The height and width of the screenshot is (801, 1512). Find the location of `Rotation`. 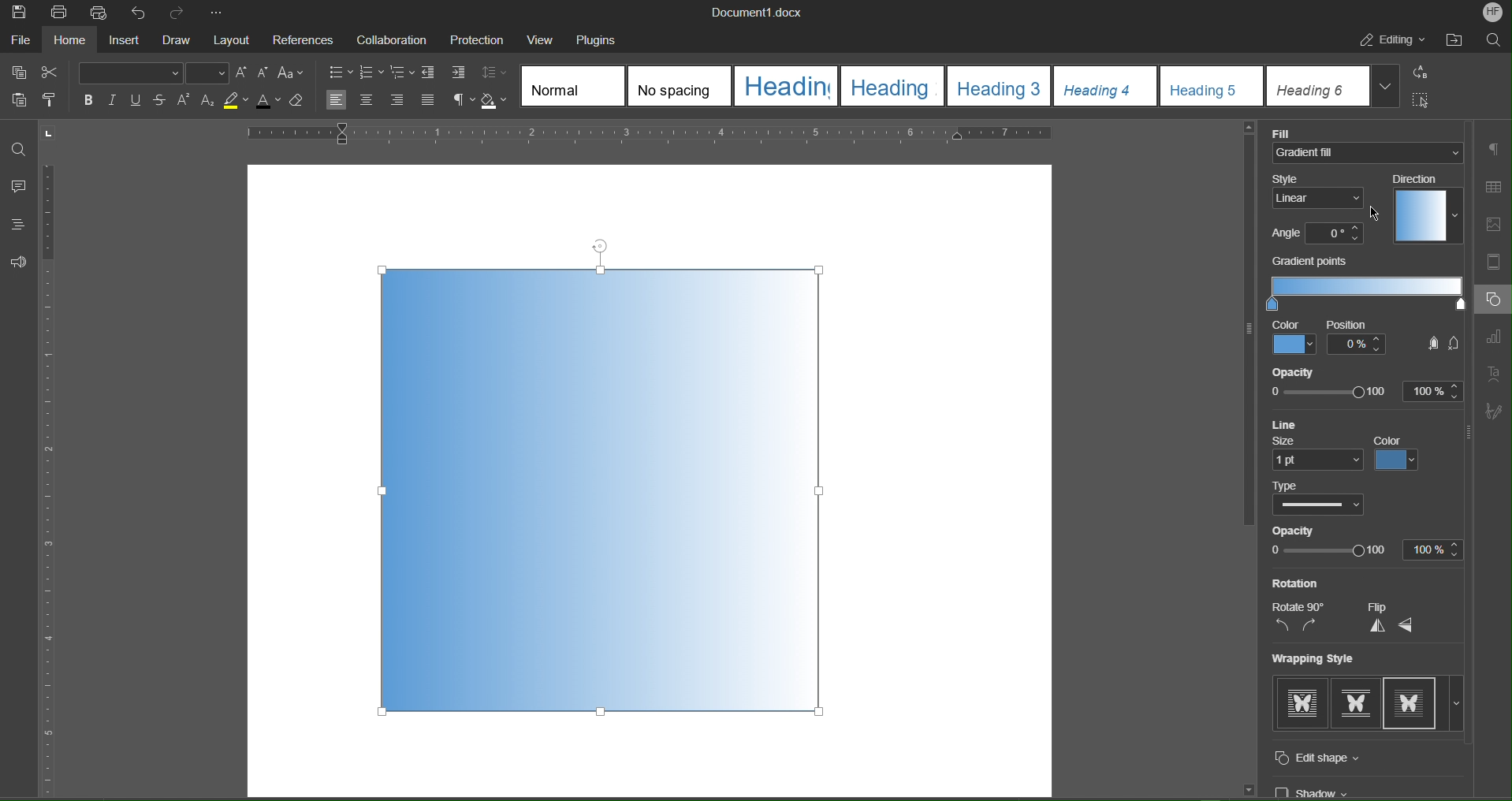

Rotation is located at coordinates (1308, 582).